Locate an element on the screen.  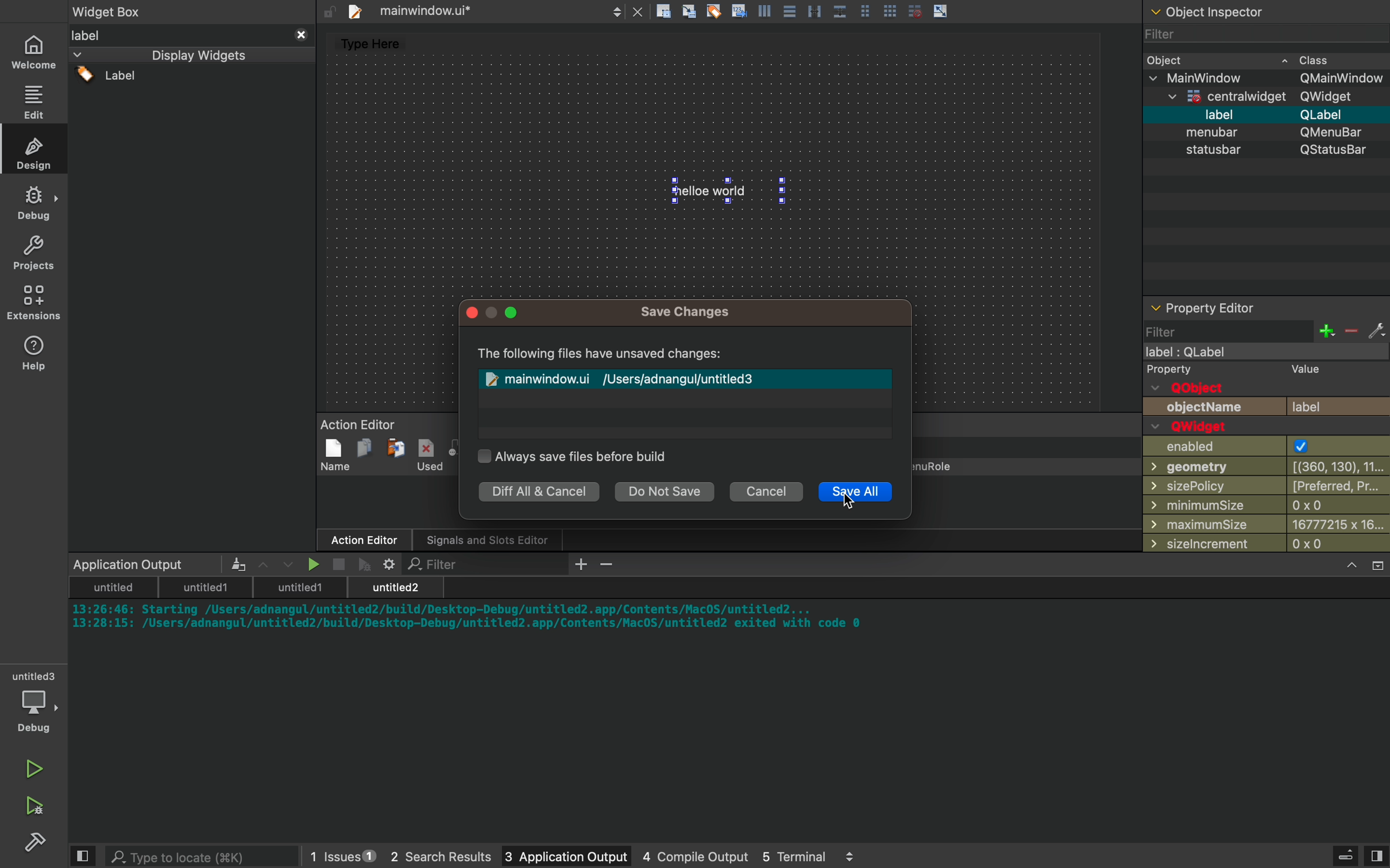
help is located at coordinates (34, 352).